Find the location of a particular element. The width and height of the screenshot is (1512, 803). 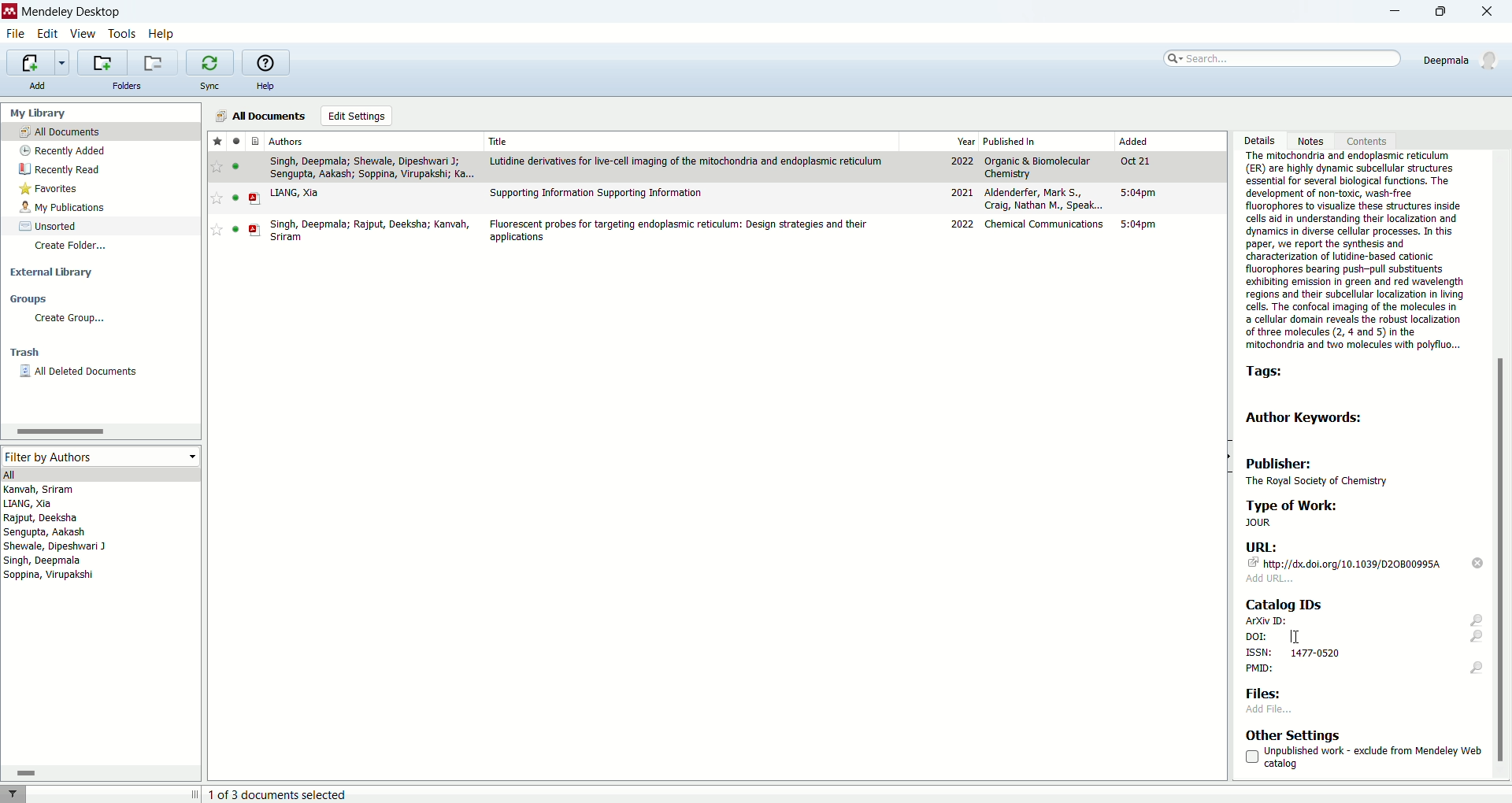

read/unread is located at coordinates (235, 140).